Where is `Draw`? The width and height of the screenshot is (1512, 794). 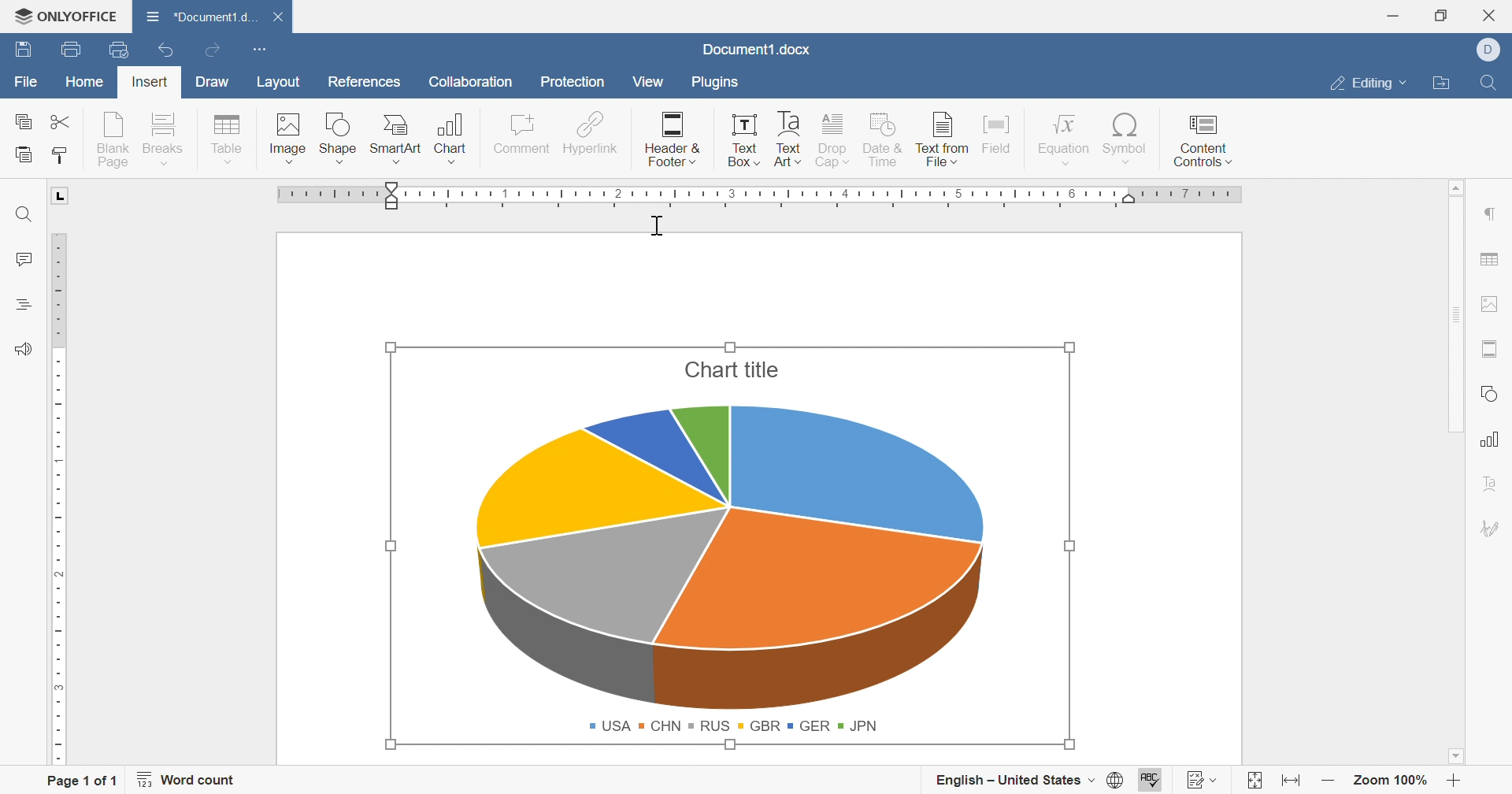
Draw is located at coordinates (214, 80).